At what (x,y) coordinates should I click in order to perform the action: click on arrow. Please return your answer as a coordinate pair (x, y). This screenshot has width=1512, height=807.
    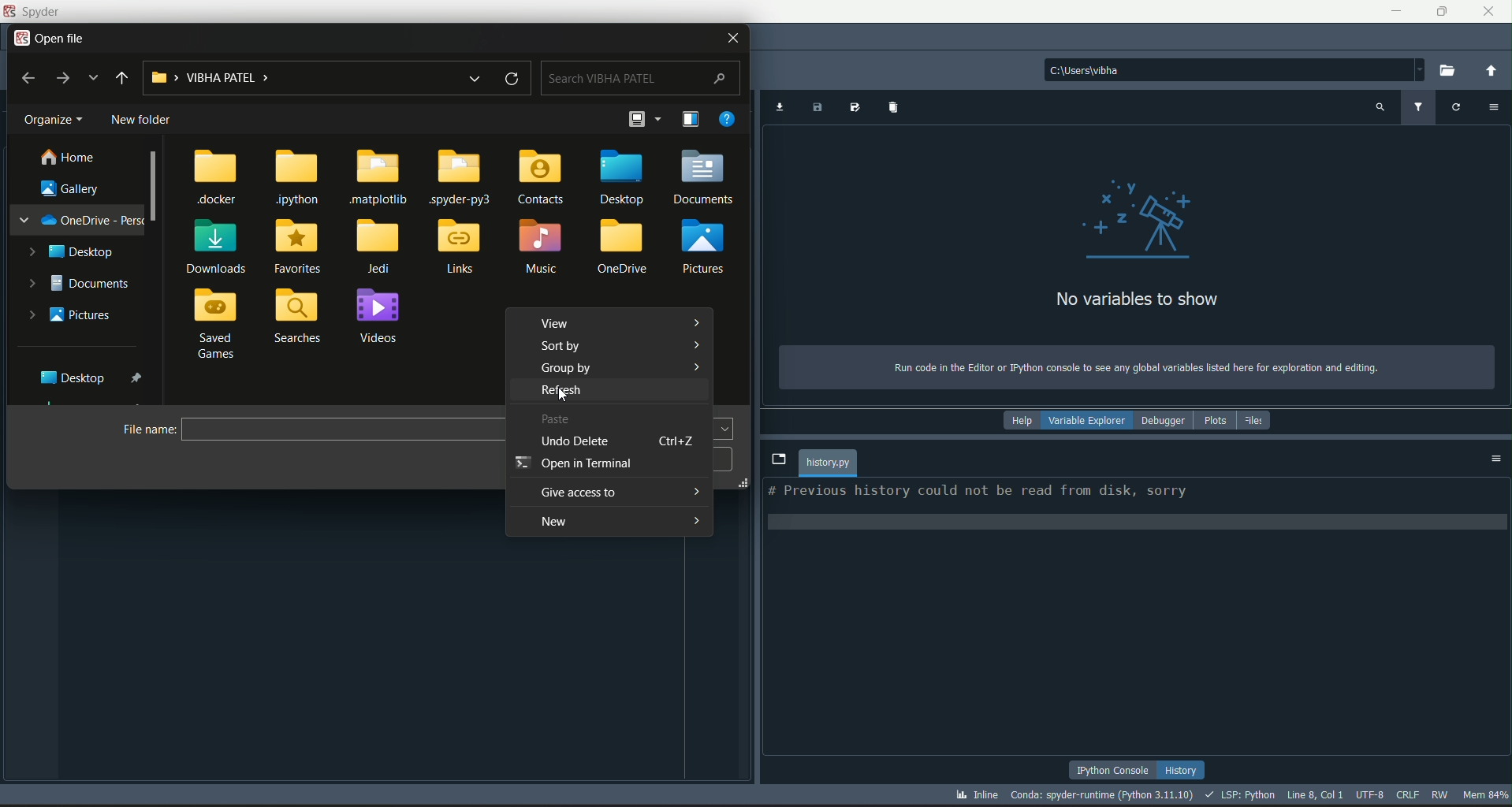
    Looking at the image, I should click on (695, 321).